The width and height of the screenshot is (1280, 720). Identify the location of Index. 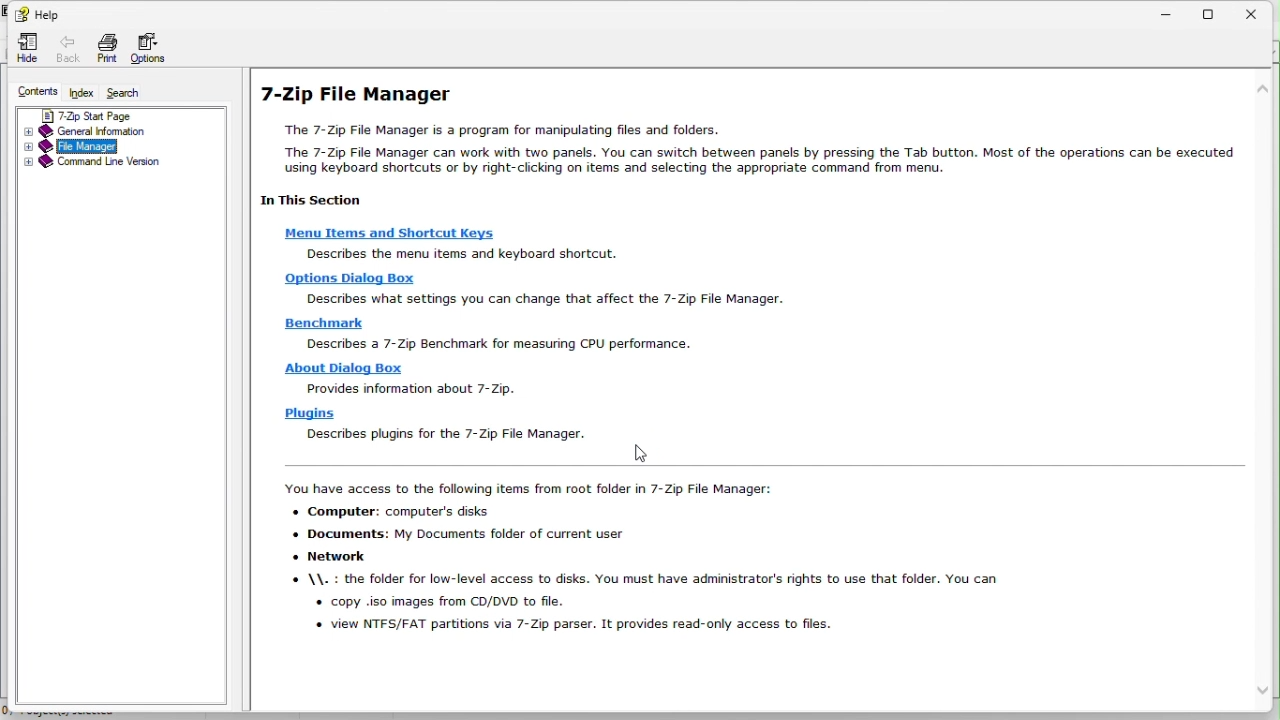
(79, 95).